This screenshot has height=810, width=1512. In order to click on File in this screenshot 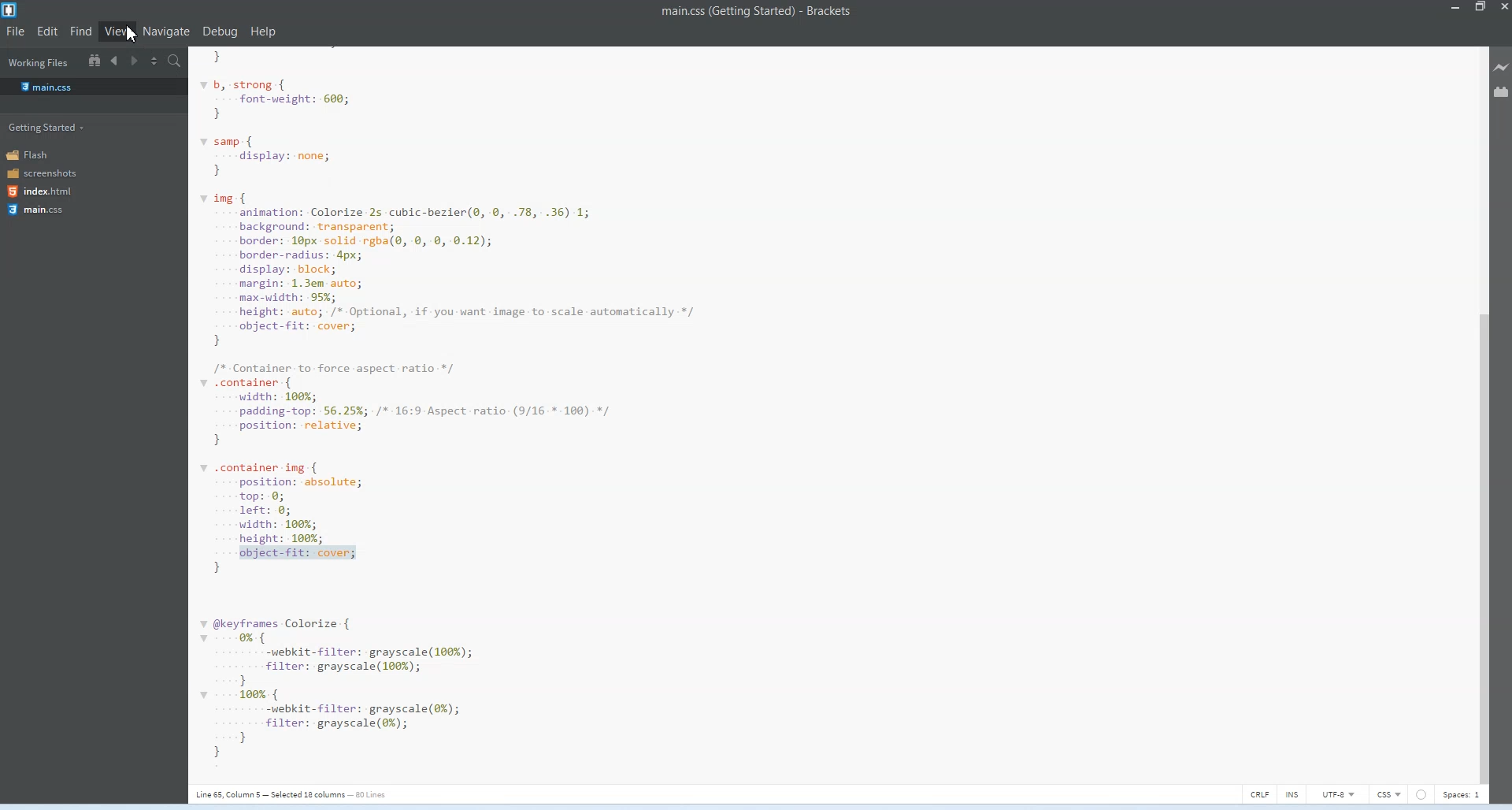, I will do `click(15, 32)`.